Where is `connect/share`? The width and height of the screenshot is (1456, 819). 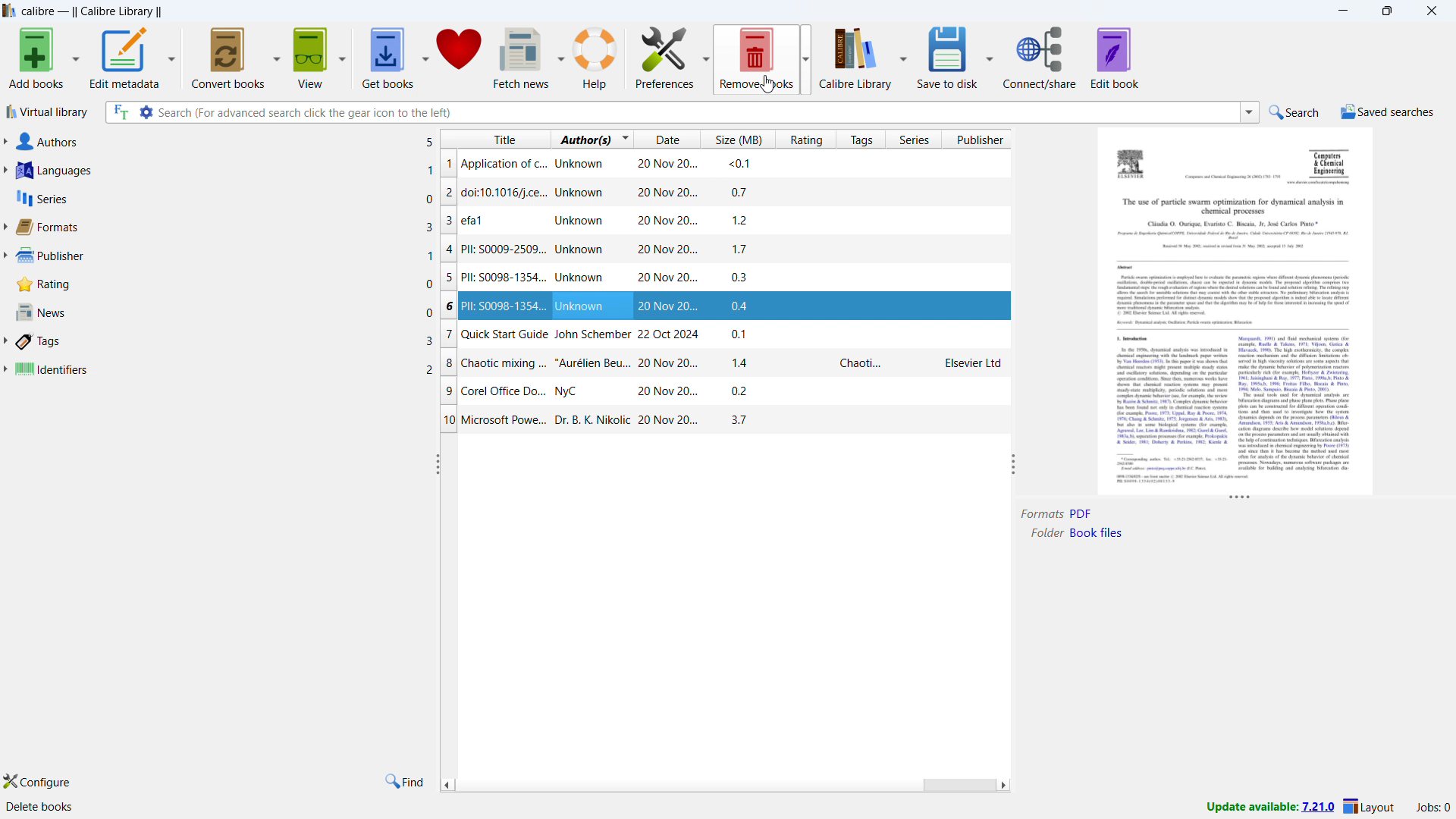
connect/share is located at coordinates (1041, 57).